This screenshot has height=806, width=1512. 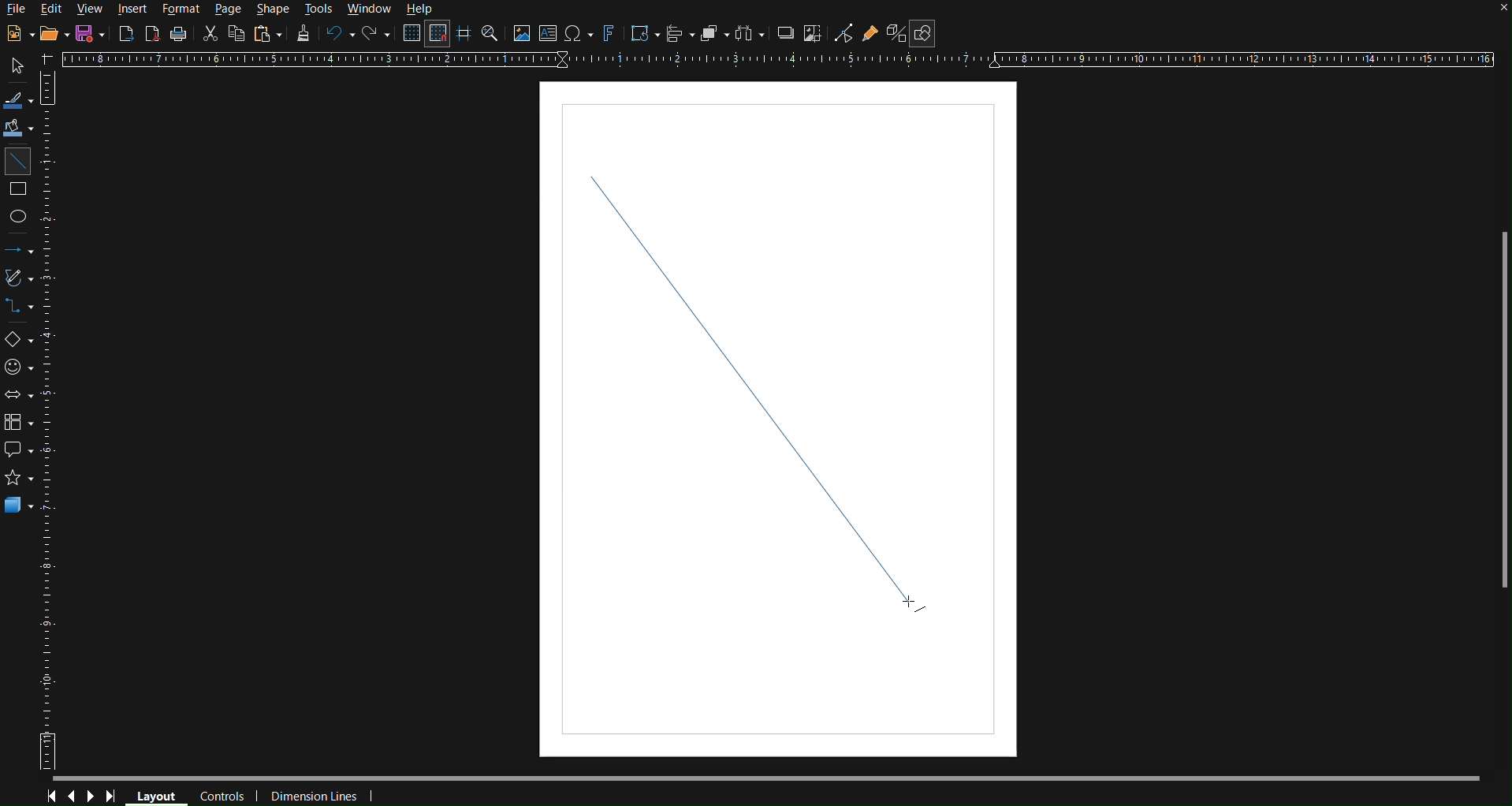 What do you see at coordinates (368, 9) in the screenshot?
I see `Window` at bounding box center [368, 9].